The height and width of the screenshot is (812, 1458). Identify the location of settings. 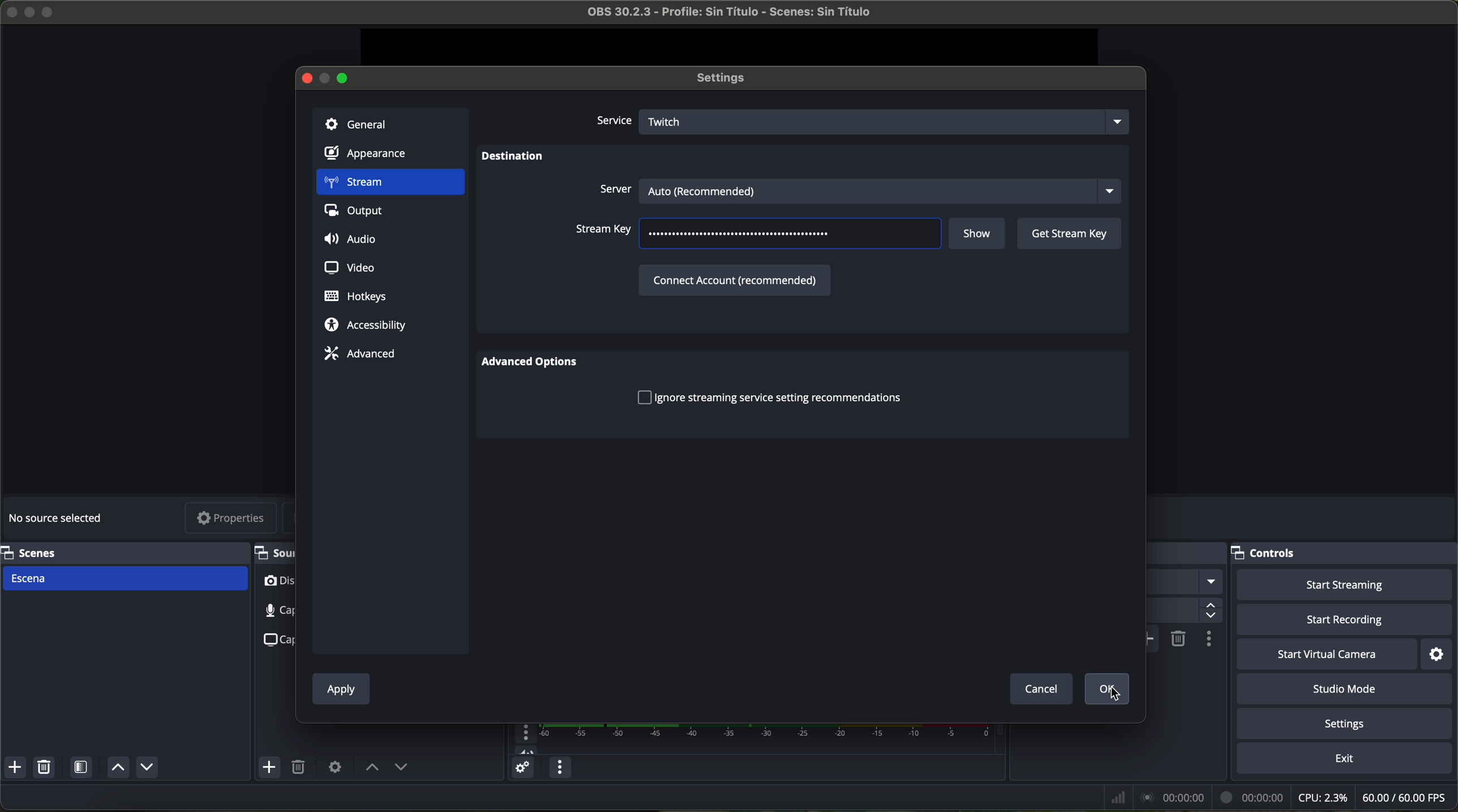
(1438, 654).